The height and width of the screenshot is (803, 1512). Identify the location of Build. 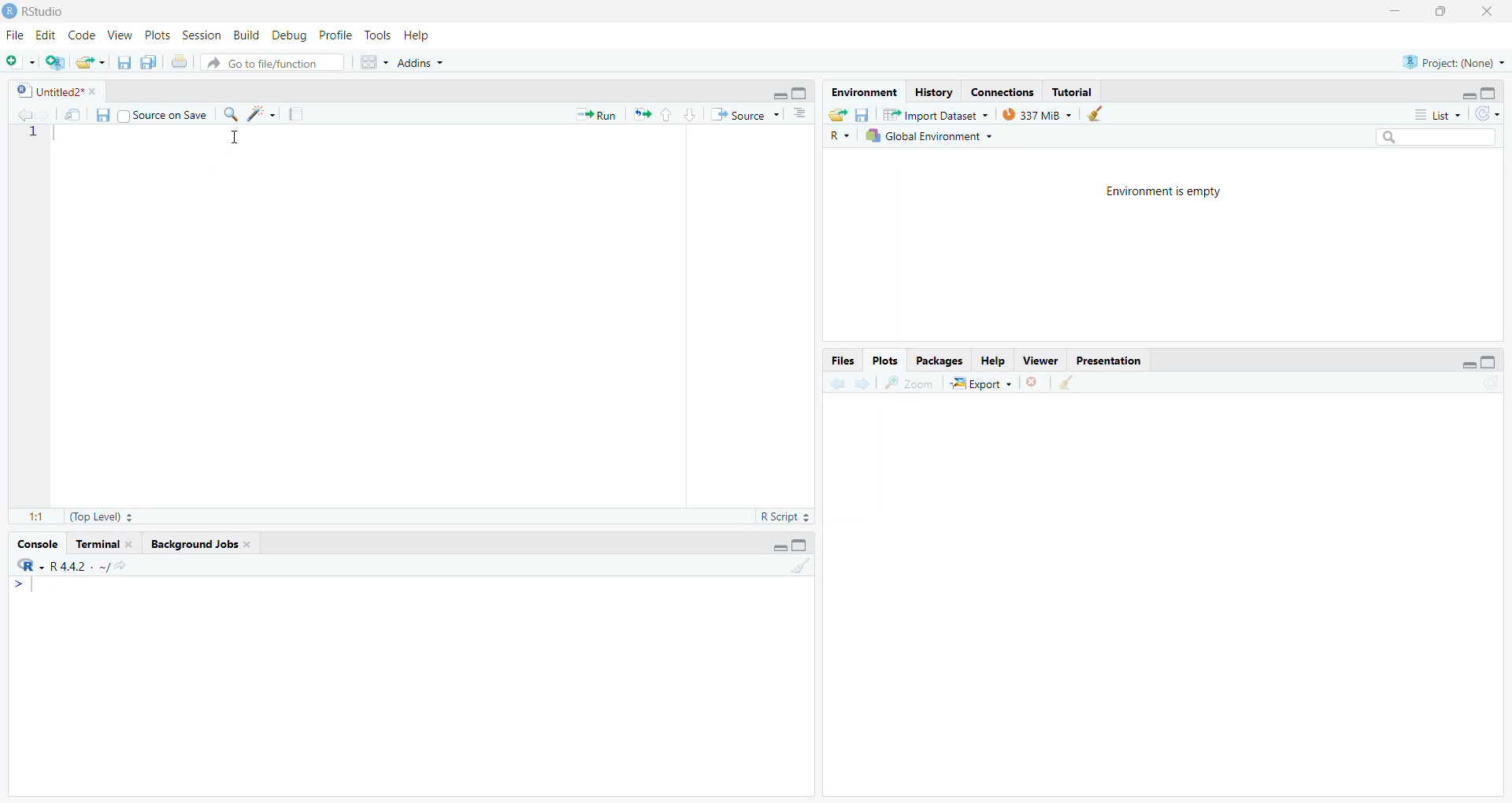
(247, 35).